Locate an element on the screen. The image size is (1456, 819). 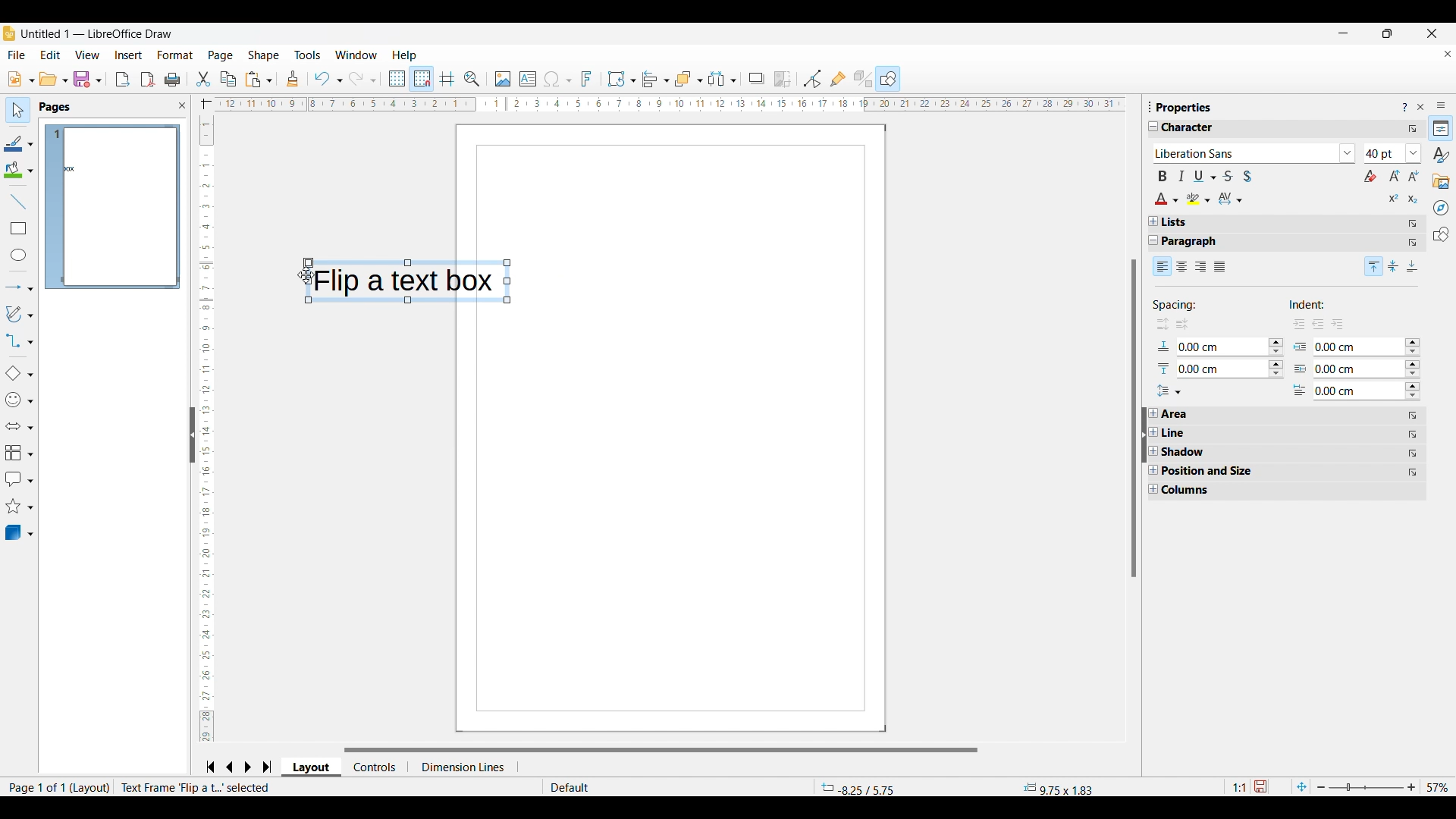
Column property is located at coordinates (1192, 491).